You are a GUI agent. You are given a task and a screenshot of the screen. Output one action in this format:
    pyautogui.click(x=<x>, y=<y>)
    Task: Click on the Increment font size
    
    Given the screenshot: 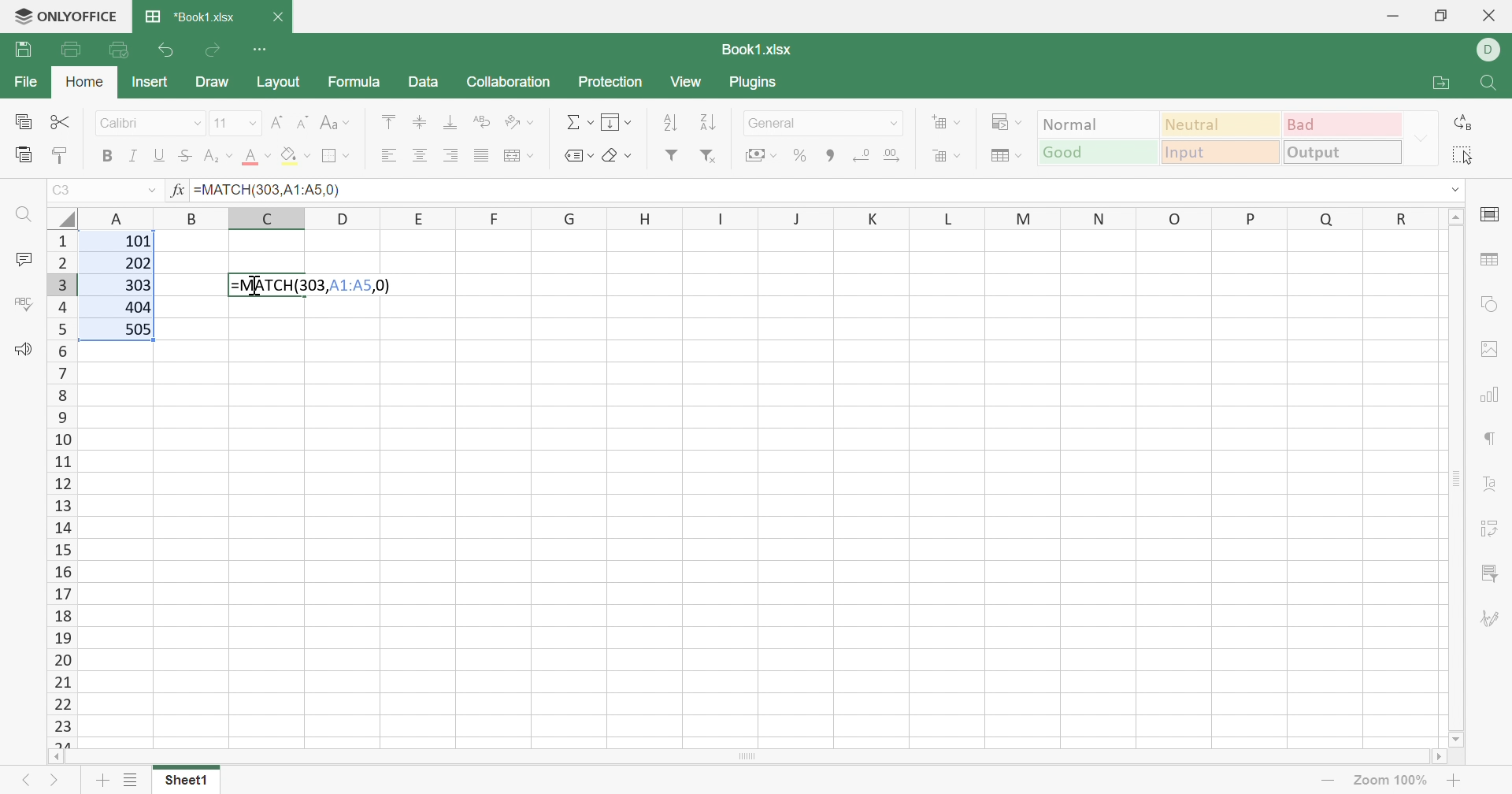 What is the action you would take?
    pyautogui.click(x=275, y=118)
    